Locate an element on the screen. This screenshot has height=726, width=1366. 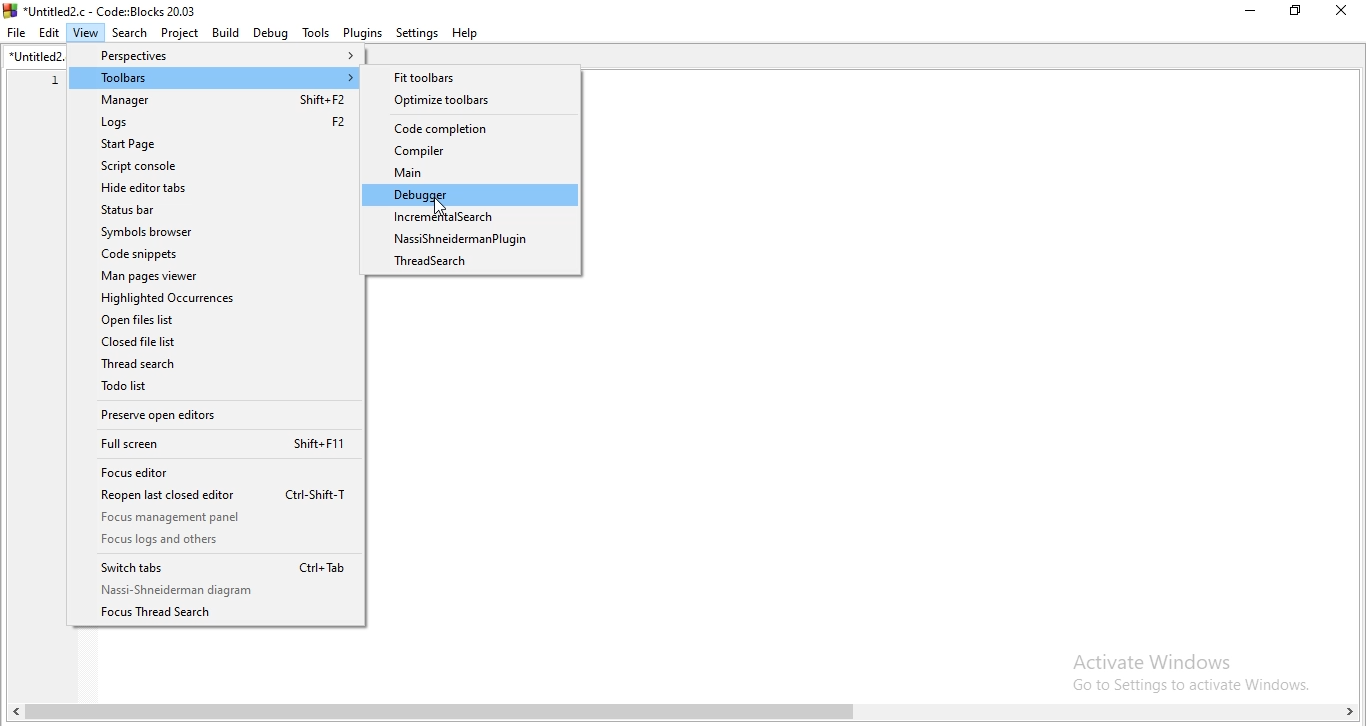
Man pages viewer  is located at coordinates (211, 278).